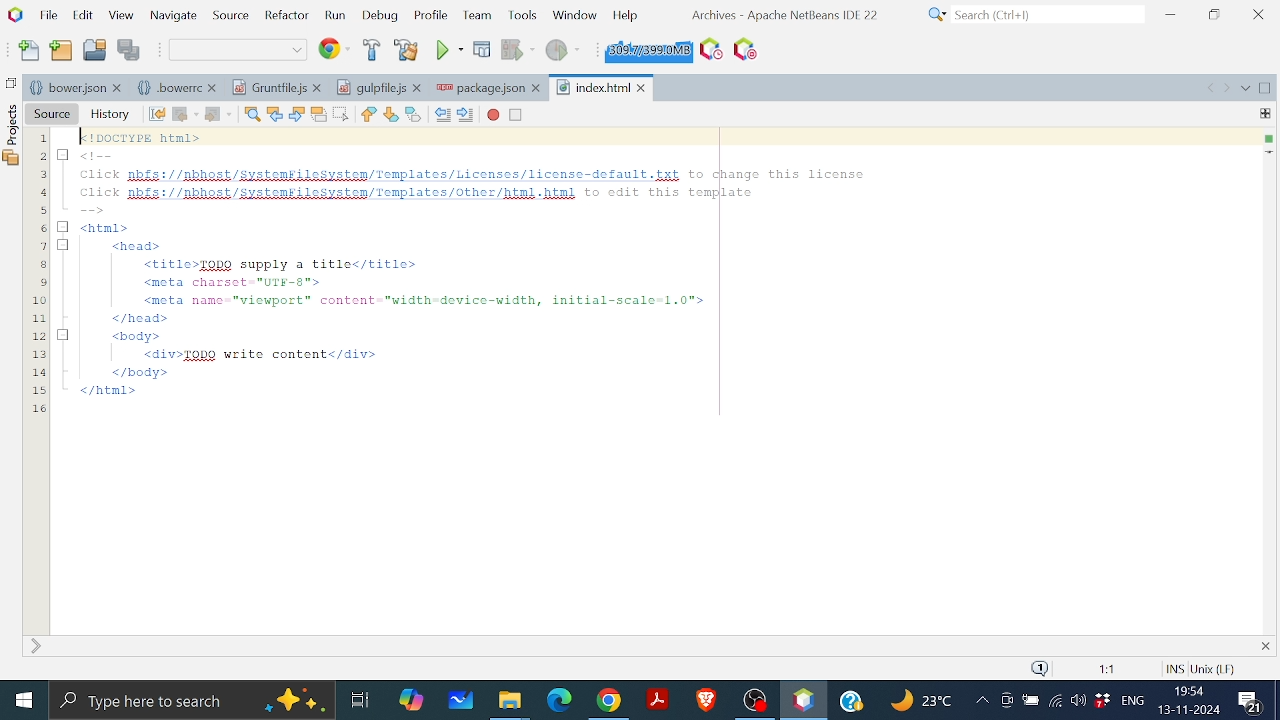  What do you see at coordinates (381, 16) in the screenshot?
I see `Debug` at bounding box center [381, 16].